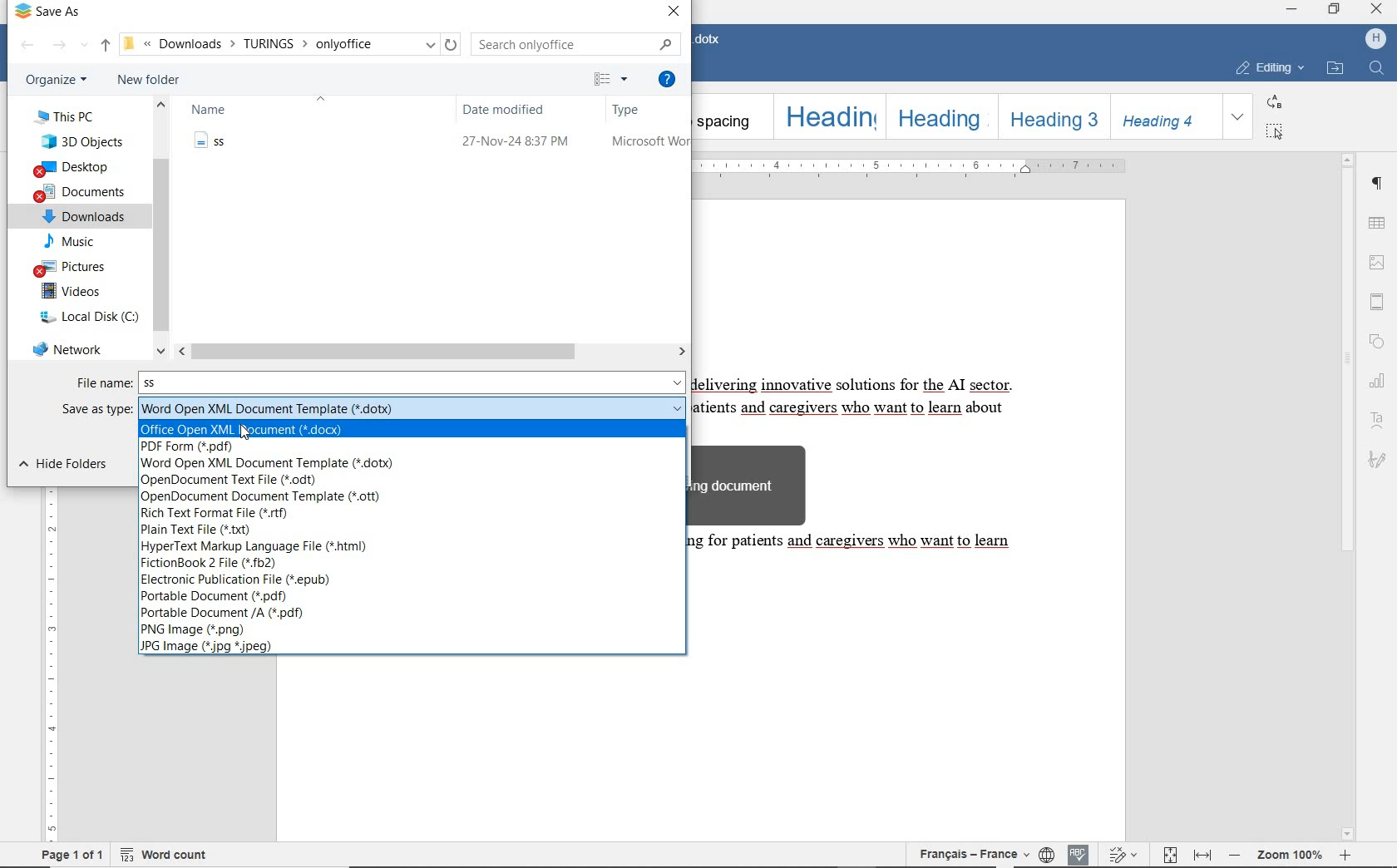  What do you see at coordinates (240, 581) in the screenshot?
I see `epub` at bounding box center [240, 581].